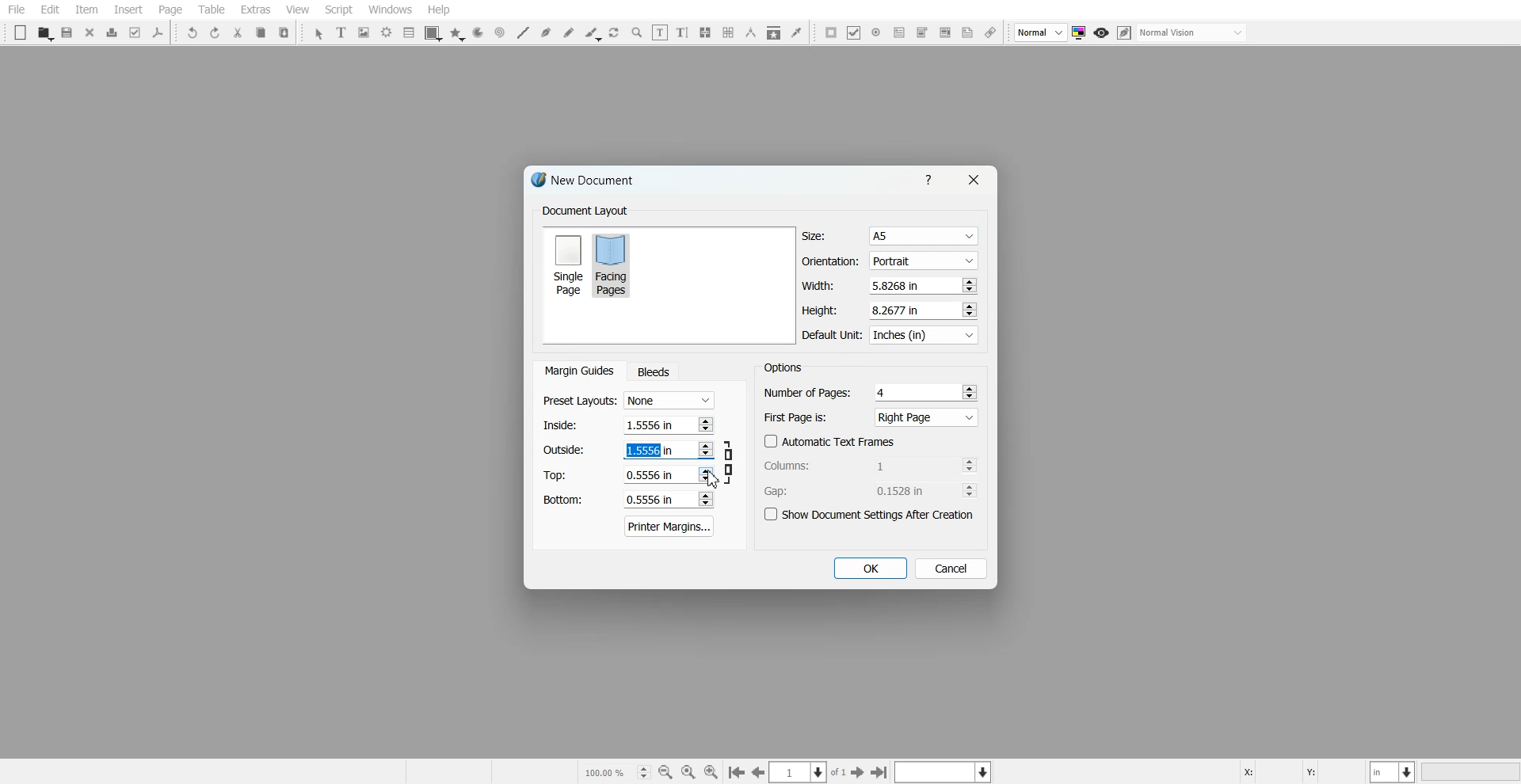 The image size is (1521, 784). Describe the element at coordinates (438, 10) in the screenshot. I see `Help` at that location.